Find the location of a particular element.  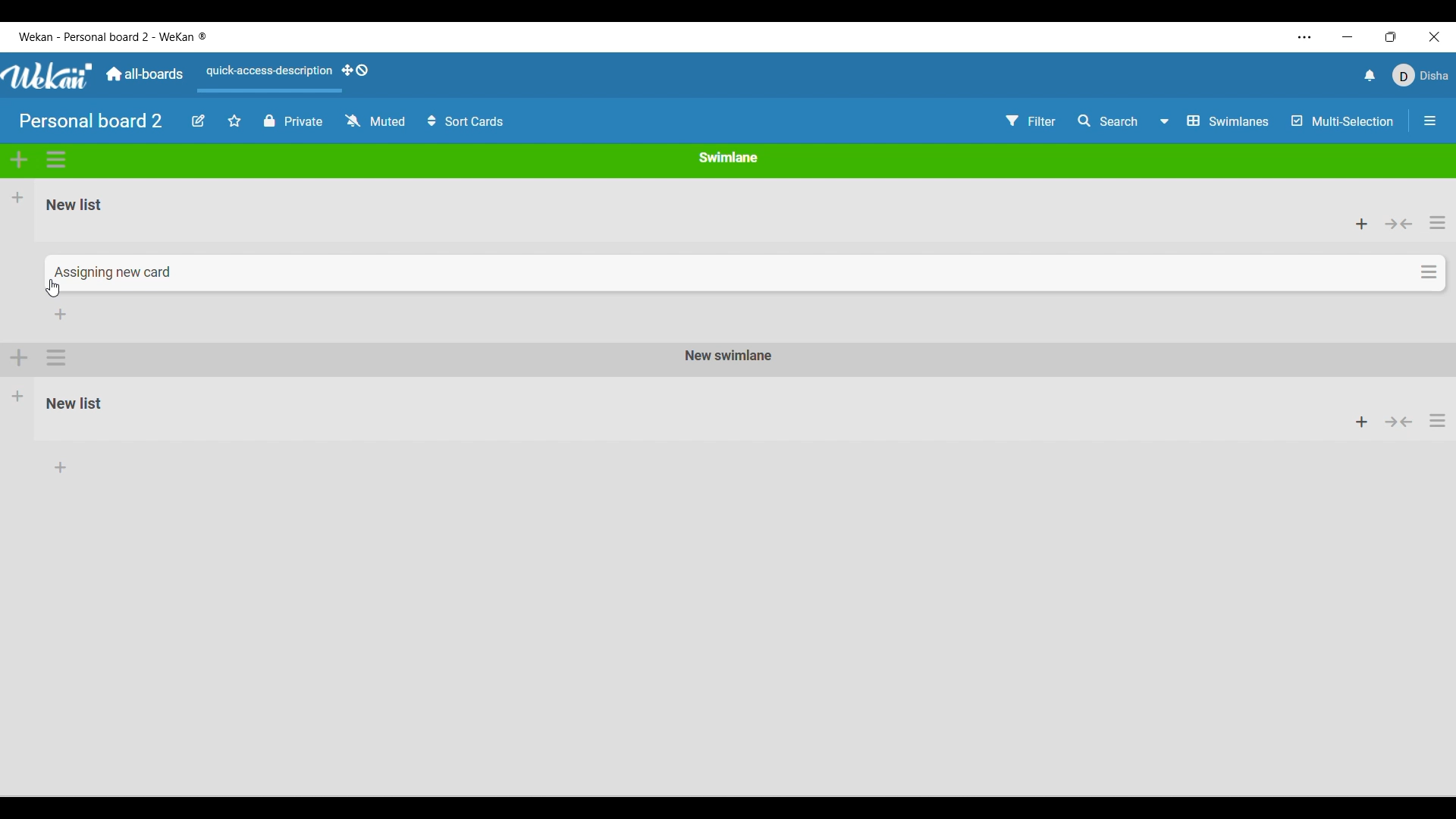

Current list is located at coordinates (690, 218).